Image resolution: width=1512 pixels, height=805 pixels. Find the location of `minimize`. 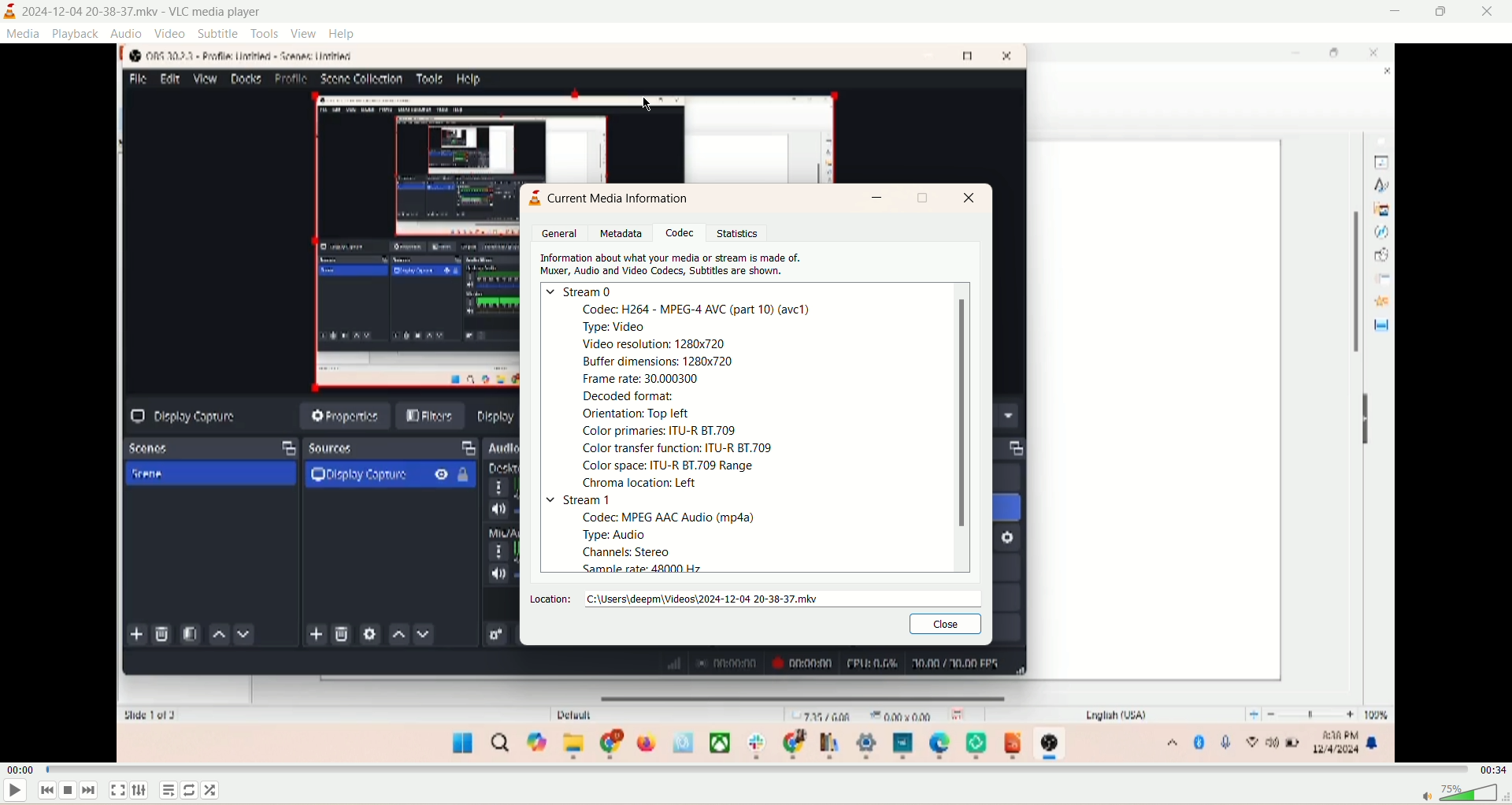

minimize is located at coordinates (877, 198).